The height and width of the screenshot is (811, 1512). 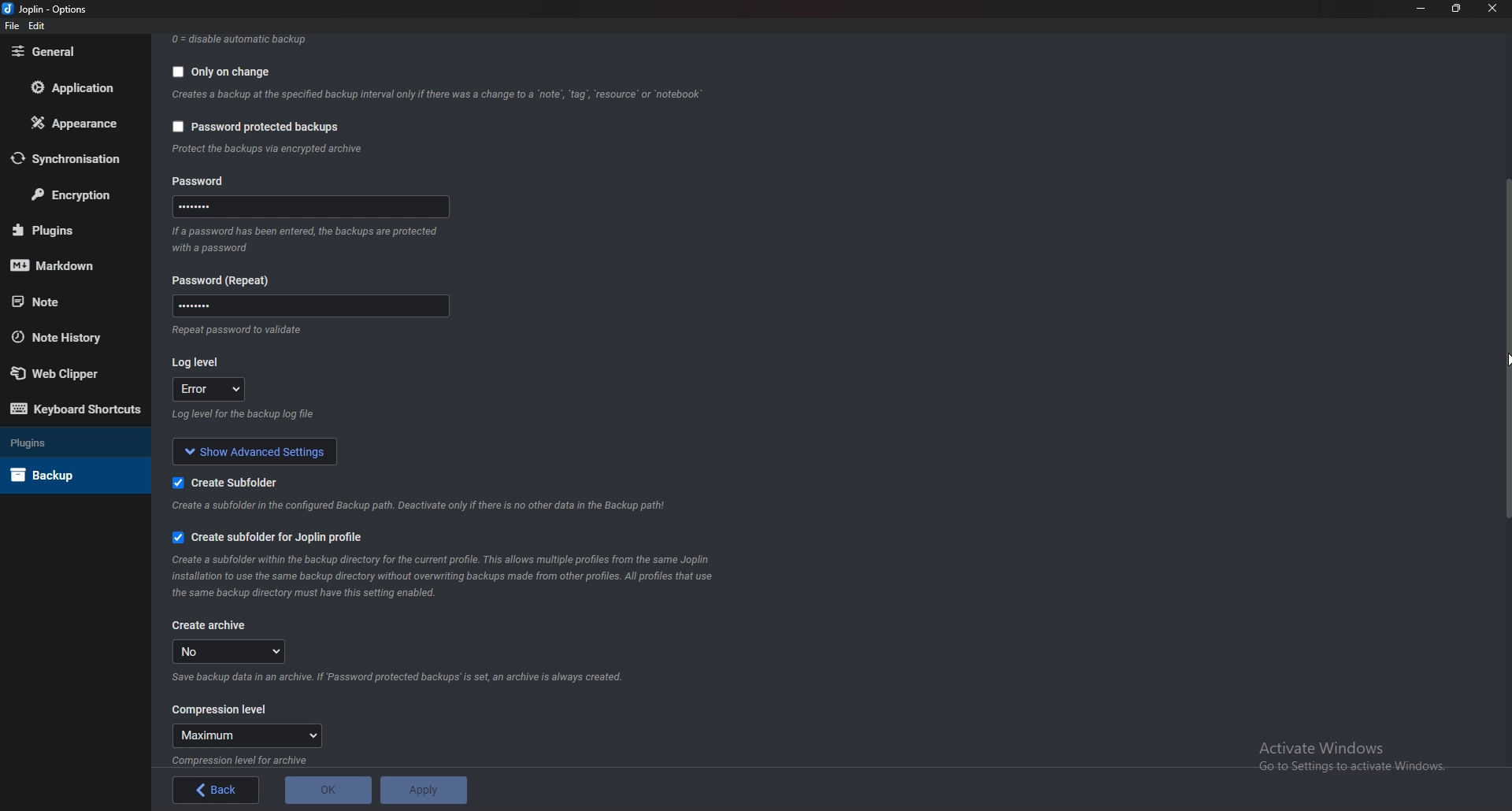 What do you see at coordinates (278, 149) in the screenshot?
I see `info` at bounding box center [278, 149].